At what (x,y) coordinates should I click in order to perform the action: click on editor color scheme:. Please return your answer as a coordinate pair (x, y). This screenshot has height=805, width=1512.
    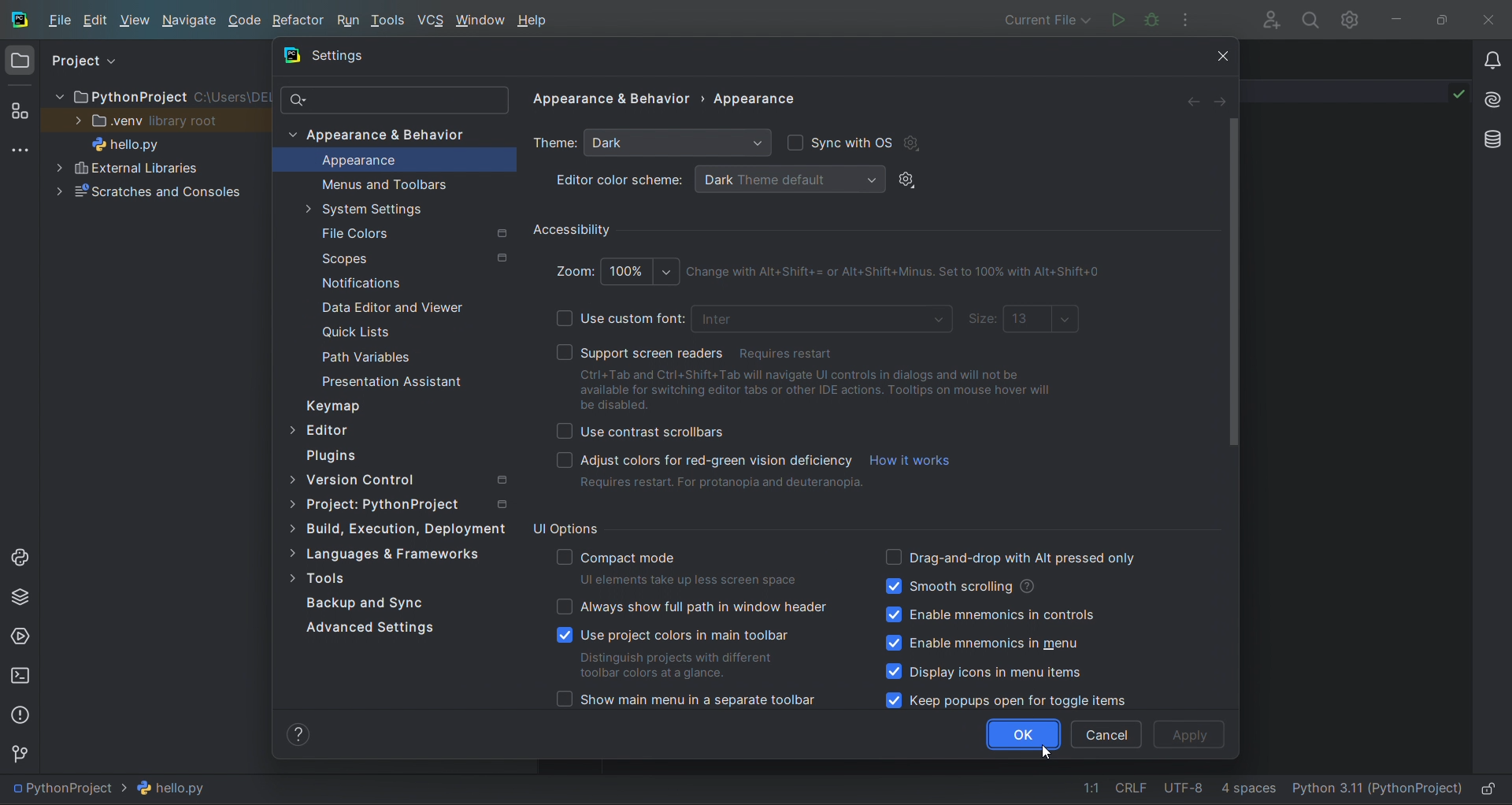
    Looking at the image, I should click on (604, 180).